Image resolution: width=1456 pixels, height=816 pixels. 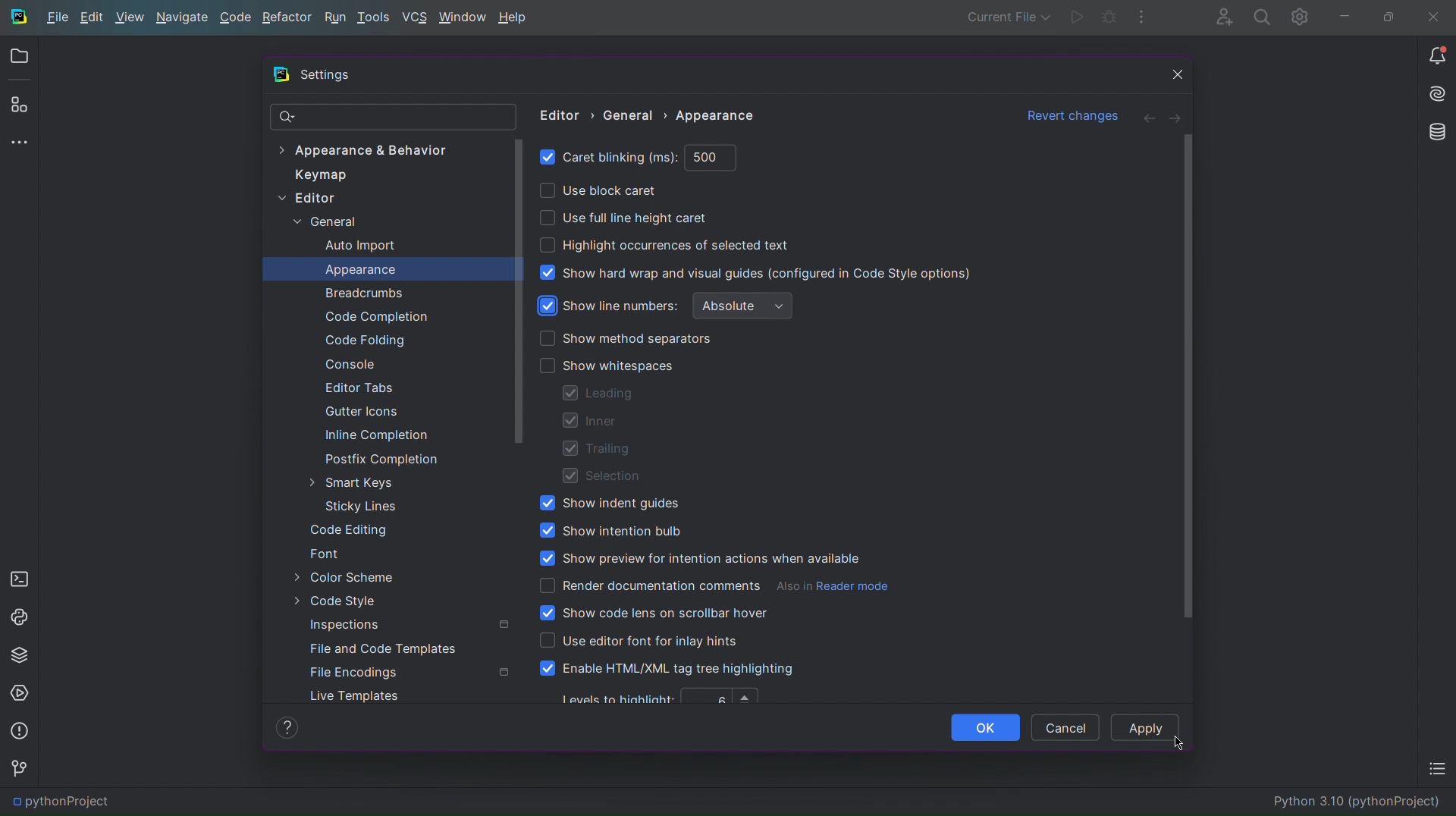 What do you see at coordinates (354, 482) in the screenshot?
I see `Smart Keys` at bounding box center [354, 482].